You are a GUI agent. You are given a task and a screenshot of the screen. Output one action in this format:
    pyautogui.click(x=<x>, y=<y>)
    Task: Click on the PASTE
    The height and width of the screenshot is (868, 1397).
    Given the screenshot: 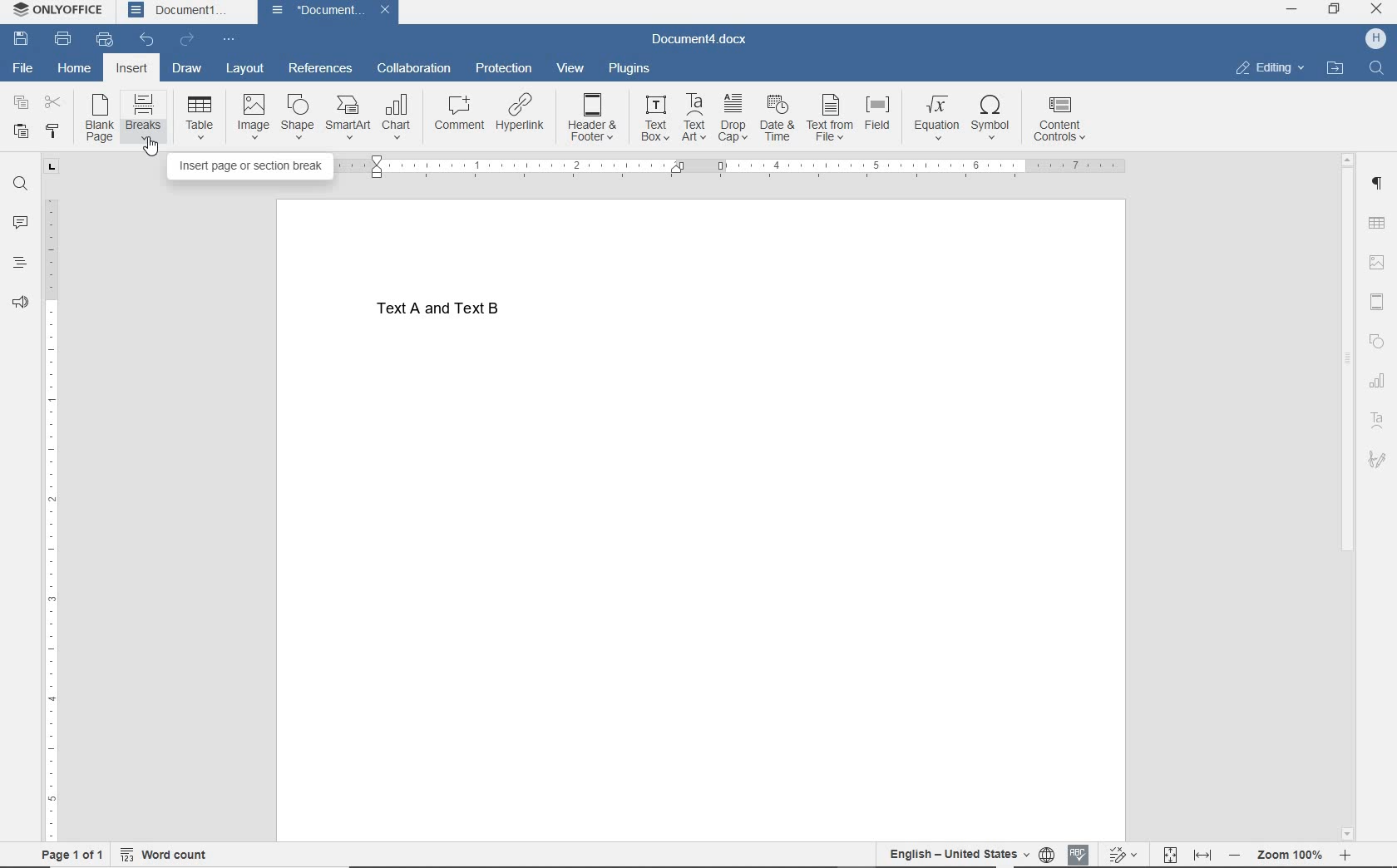 What is the action you would take?
    pyautogui.click(x=21, y=131)
    